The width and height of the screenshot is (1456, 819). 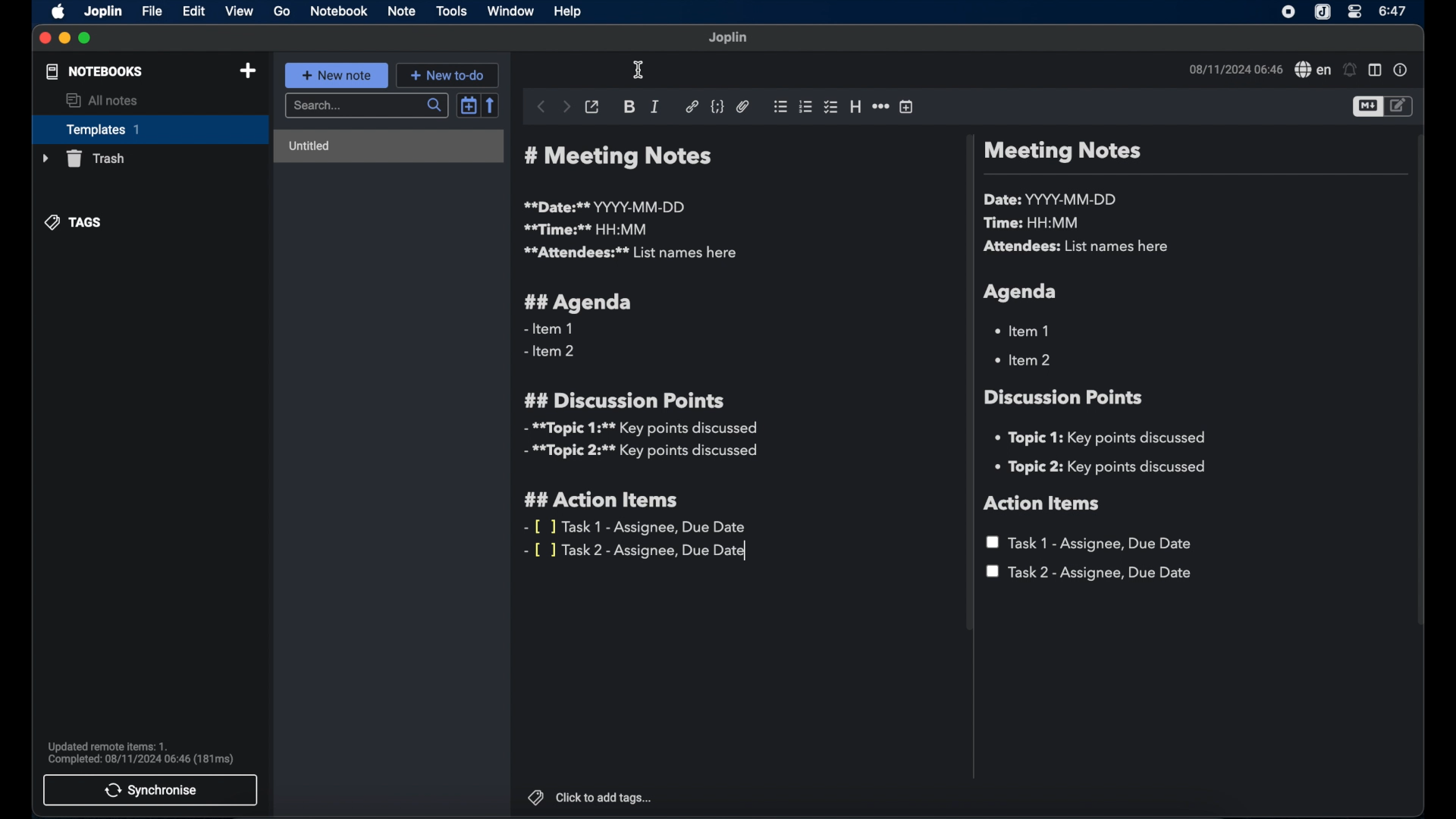 What do you see at coordinates (193, 11) in the screenshot?
I see `edit` at bounding box center [193, 11].